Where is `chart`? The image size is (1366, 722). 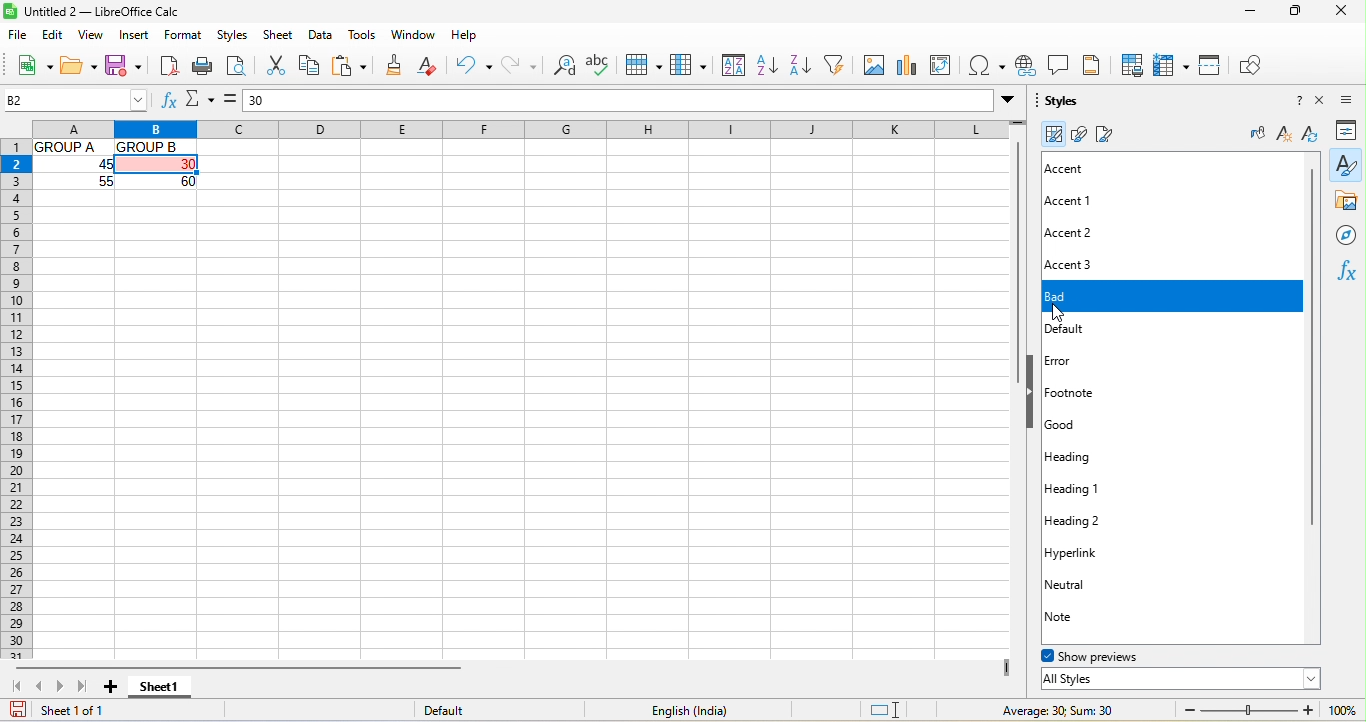 chart is located at coordinates (907, 65).